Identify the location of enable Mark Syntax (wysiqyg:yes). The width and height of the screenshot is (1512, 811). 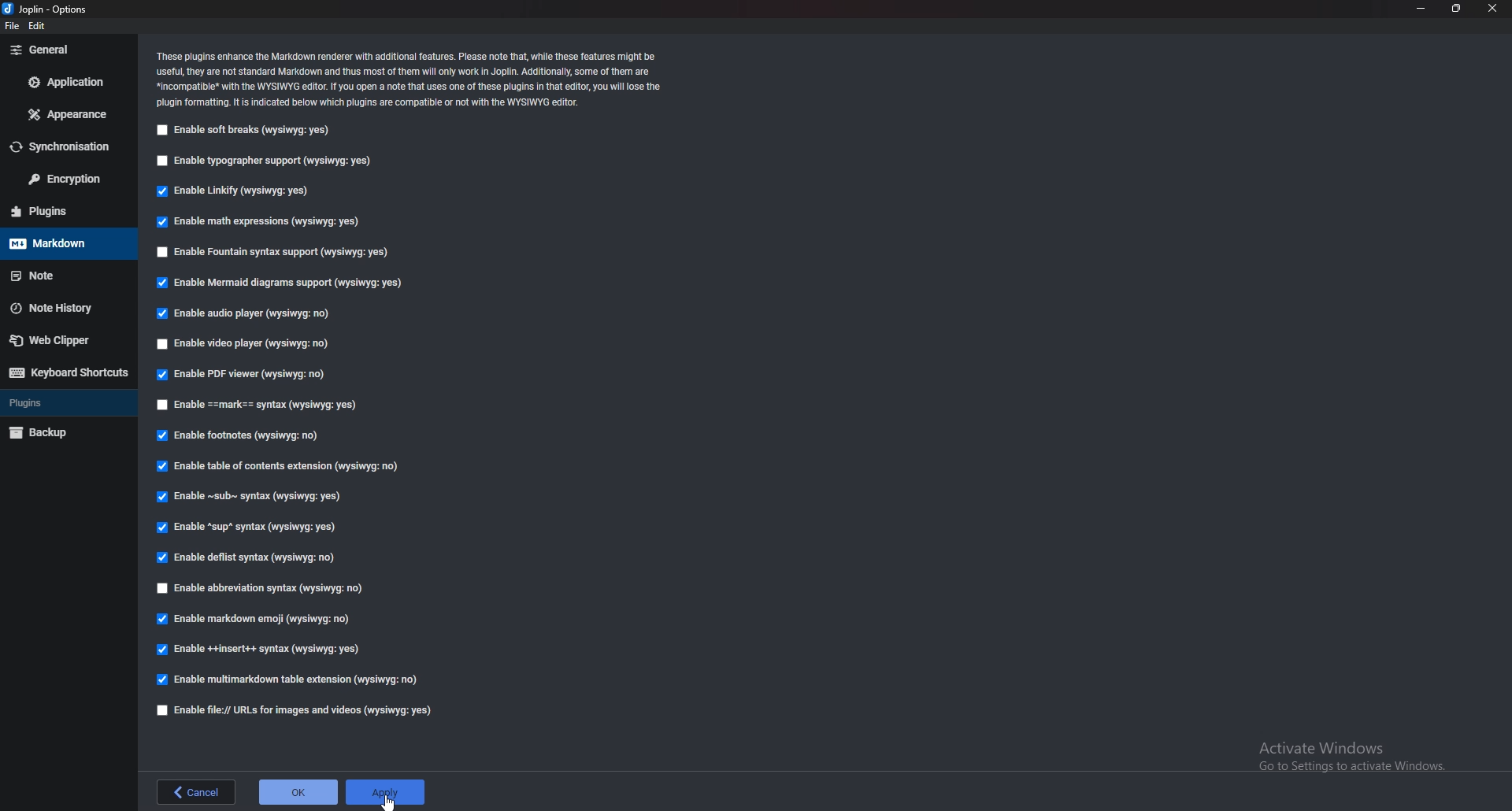
(273, 406).